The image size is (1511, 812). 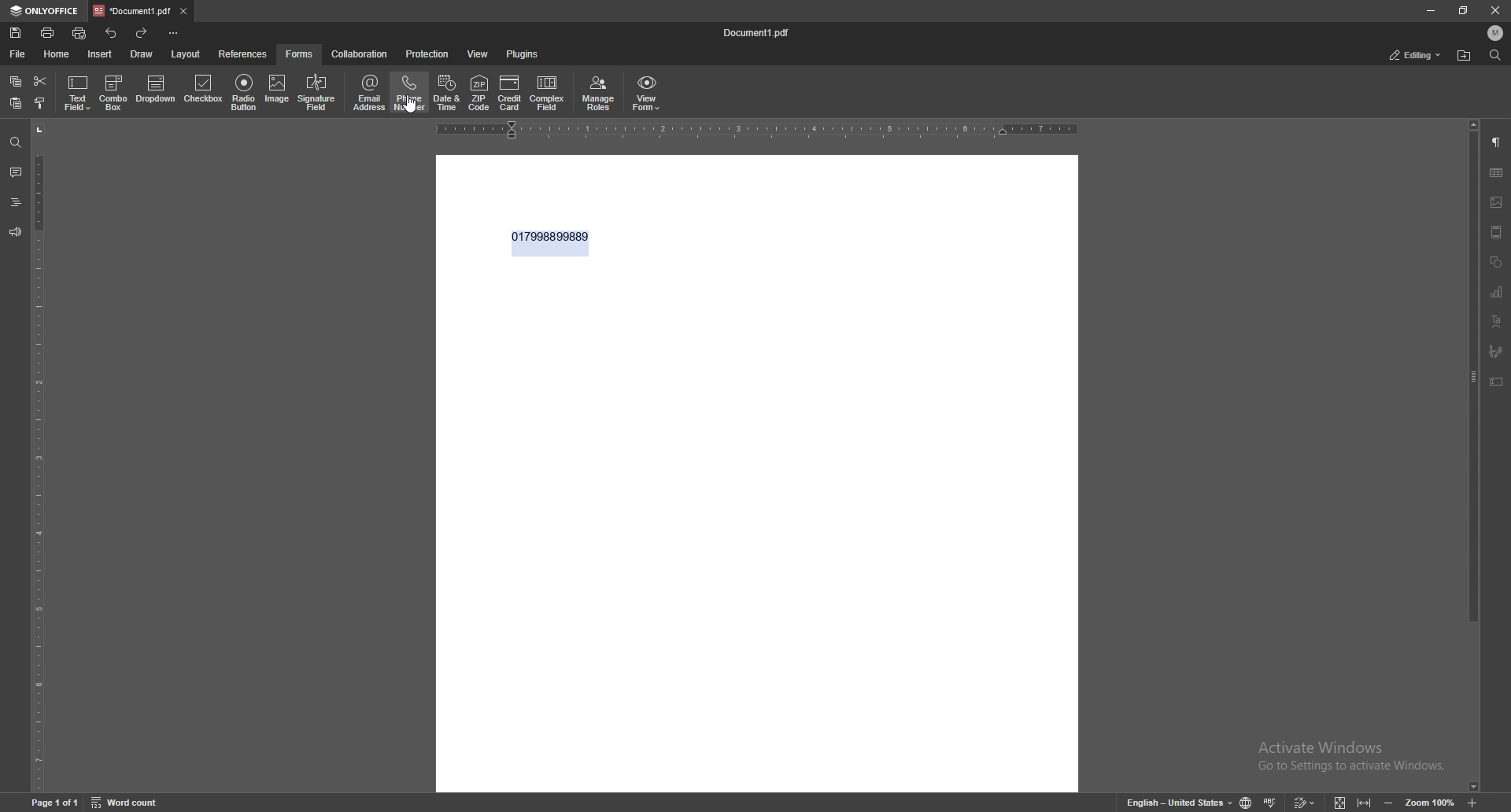 What do you see at coordinates (1496, 263) in the screenshot?
I see `shapes` at bounding box center [1496, 263].